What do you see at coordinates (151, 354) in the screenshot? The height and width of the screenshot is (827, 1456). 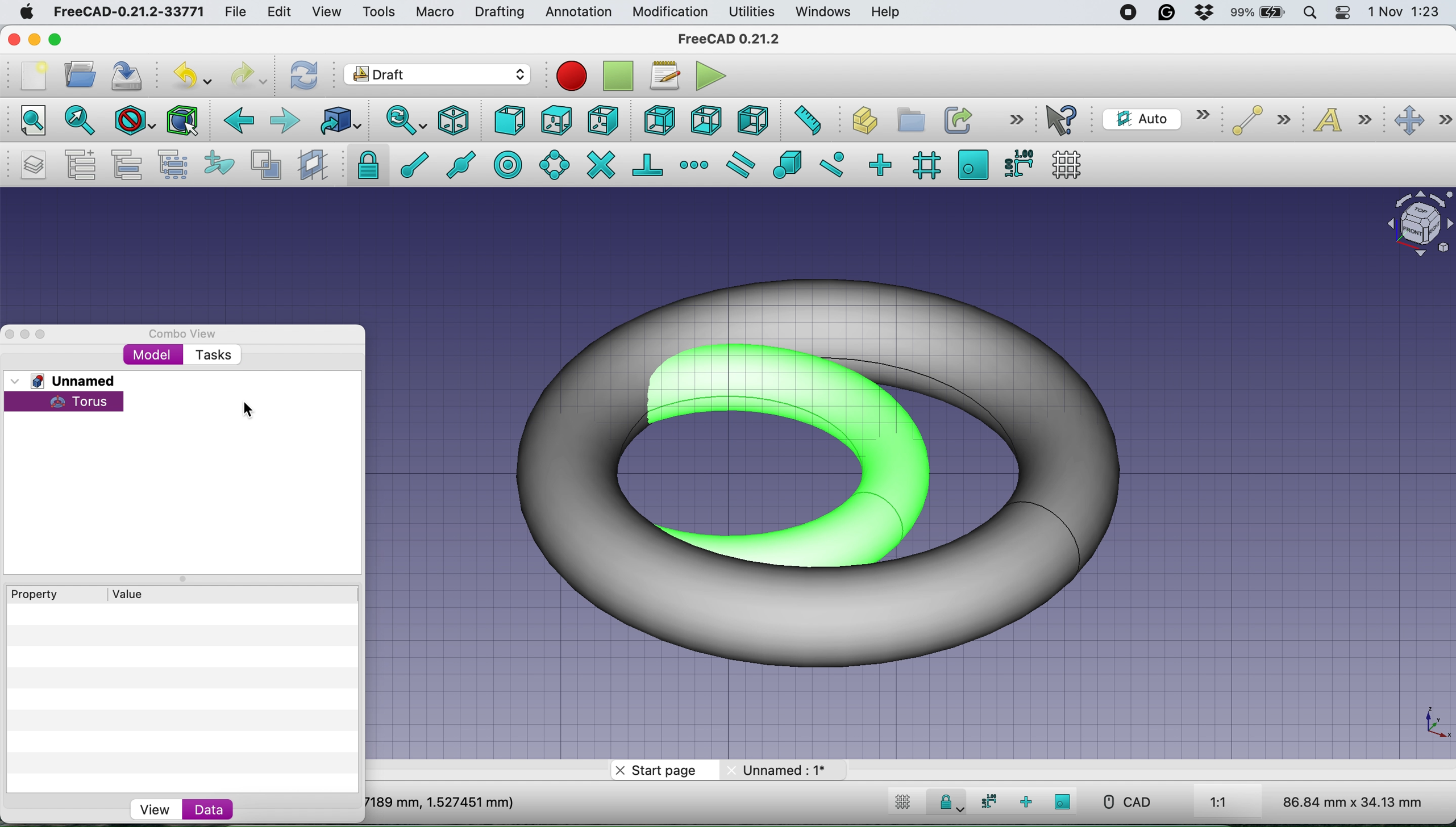 I see `model` at bounding box center [151, 354].